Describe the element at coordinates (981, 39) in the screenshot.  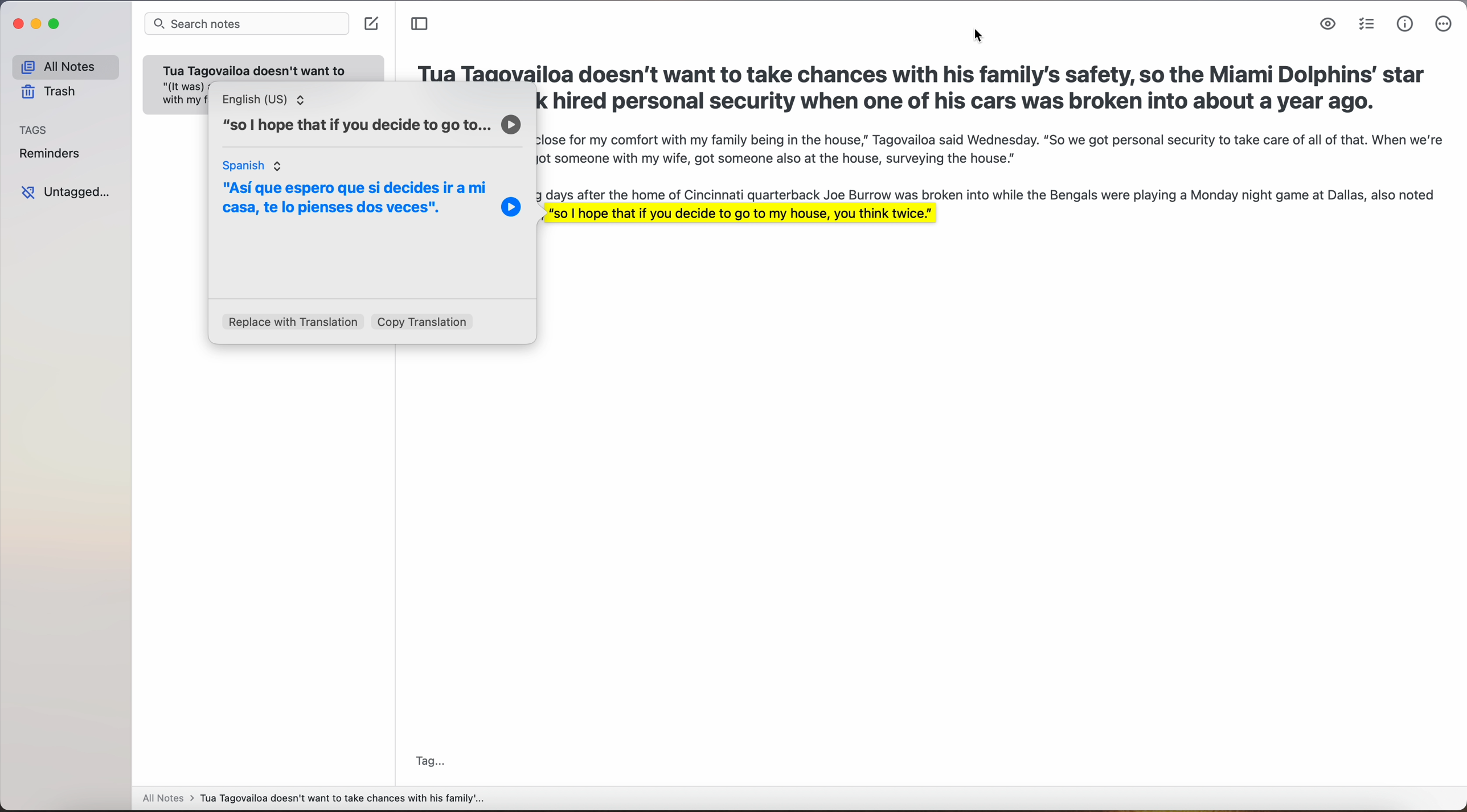
I see `cursor` at that location.